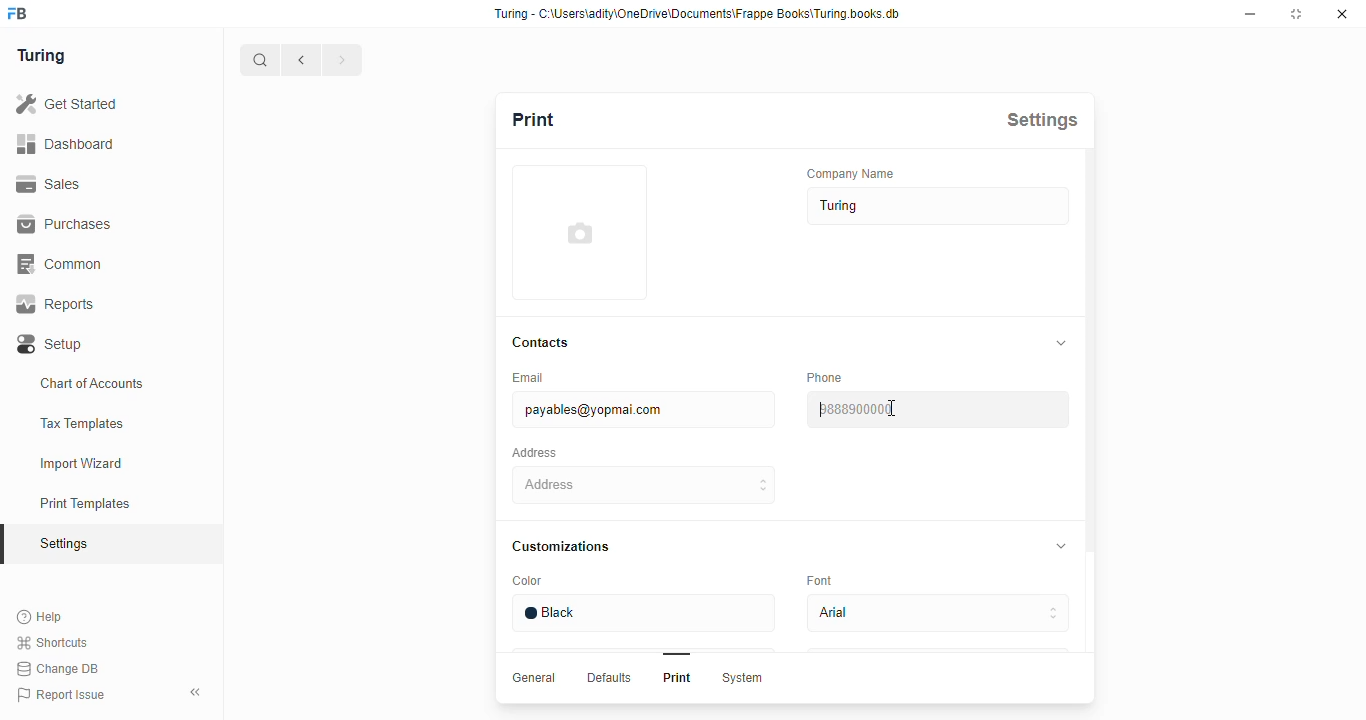 The width and height of the screenshot is (1366, 720). Describe the element at coordinates (60, 670) in the screenshot. I see `Change DB` at that location.